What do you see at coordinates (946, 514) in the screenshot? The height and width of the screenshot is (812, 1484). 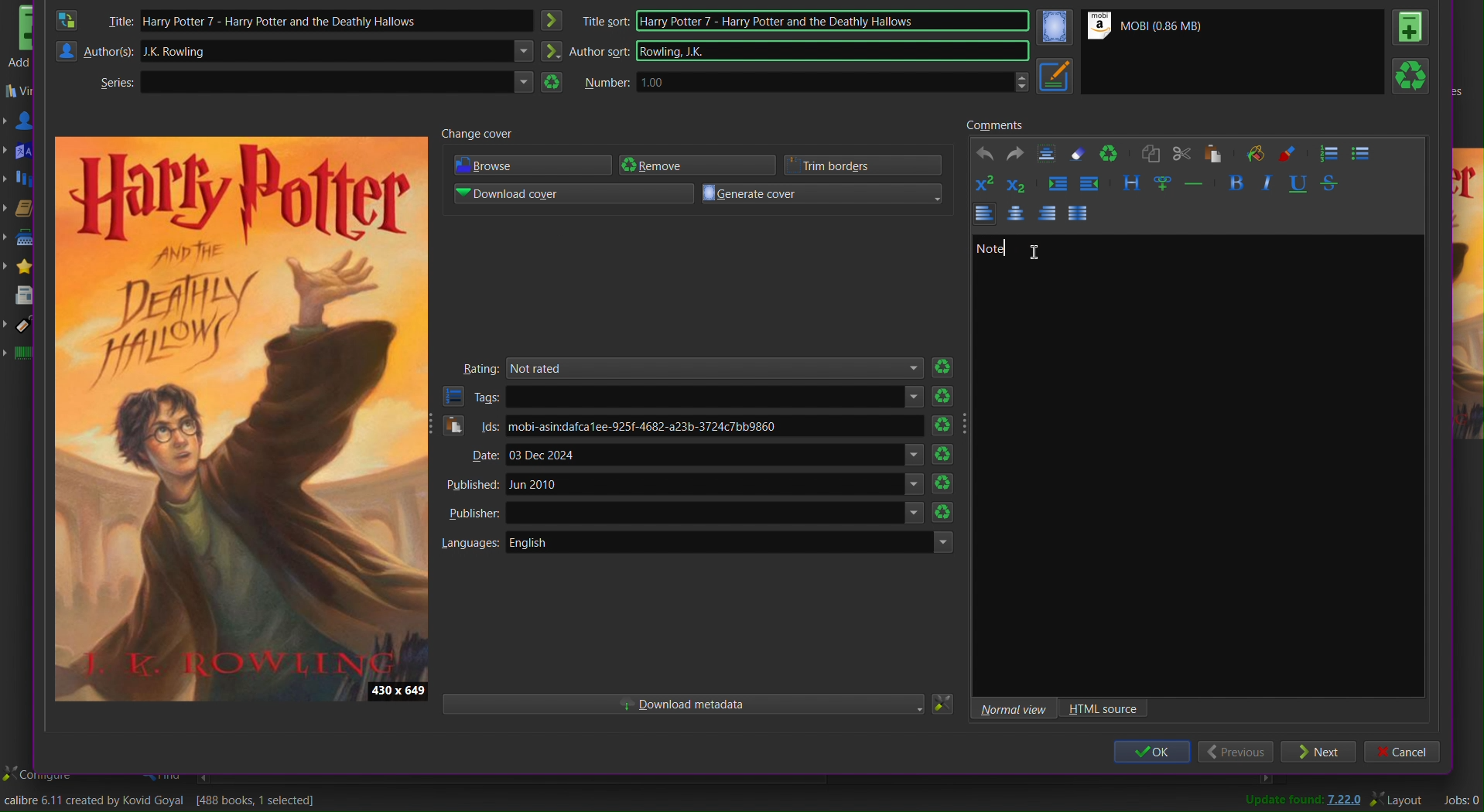 I see `Refresh` at bounding box center [946, 514].